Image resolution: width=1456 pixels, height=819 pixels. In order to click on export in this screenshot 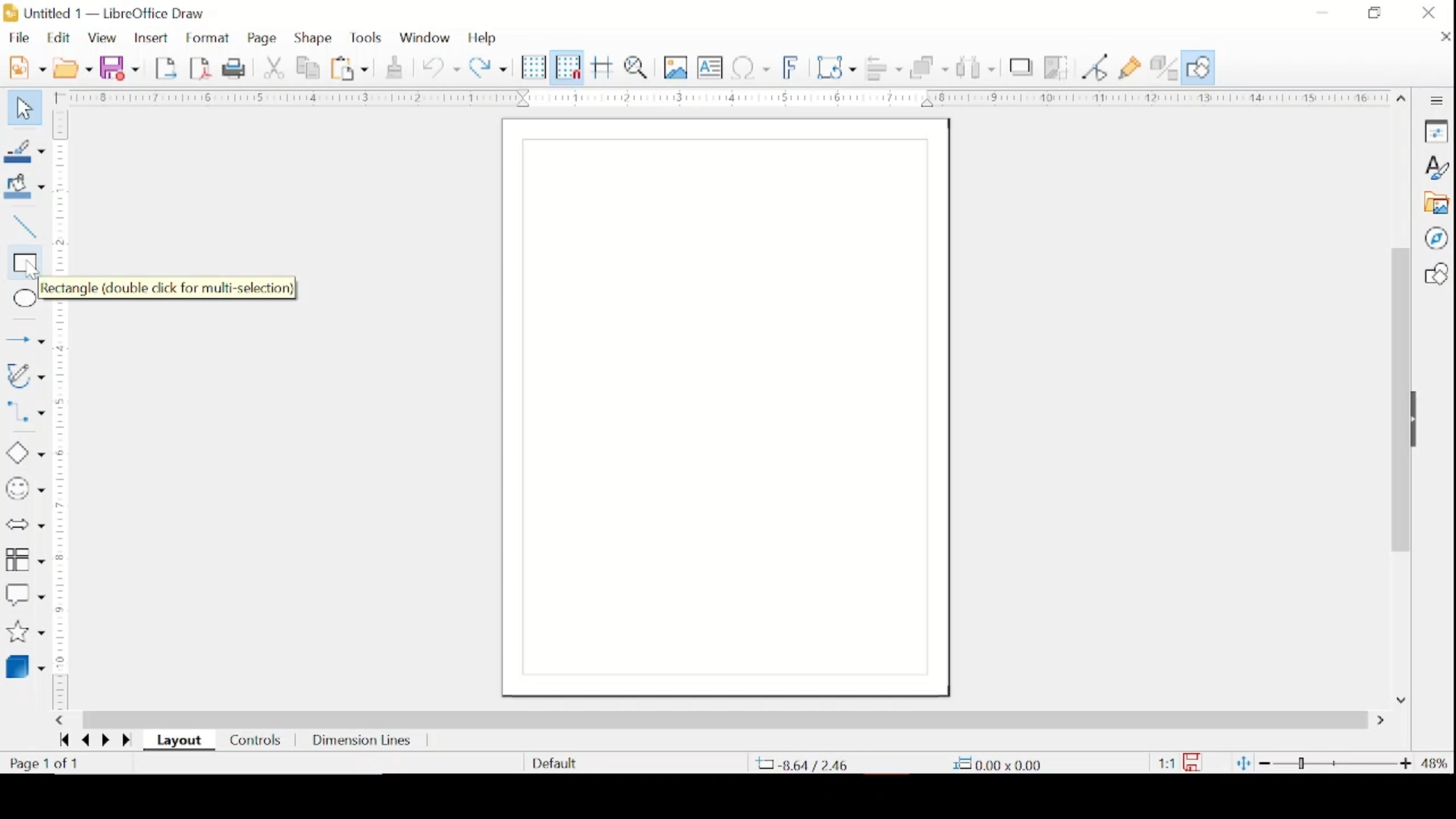, I will do `click(168, 67)`.